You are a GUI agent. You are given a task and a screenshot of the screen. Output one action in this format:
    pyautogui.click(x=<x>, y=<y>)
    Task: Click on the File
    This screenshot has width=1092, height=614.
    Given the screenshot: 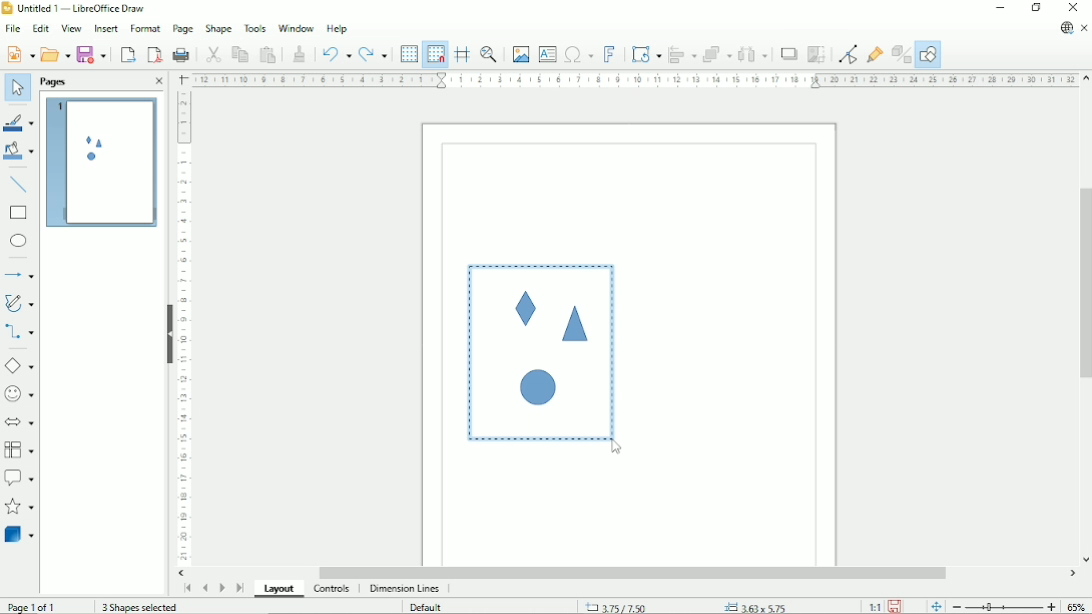 What is the action you would take?
    pyautogui.click(x=12, y=28)
    